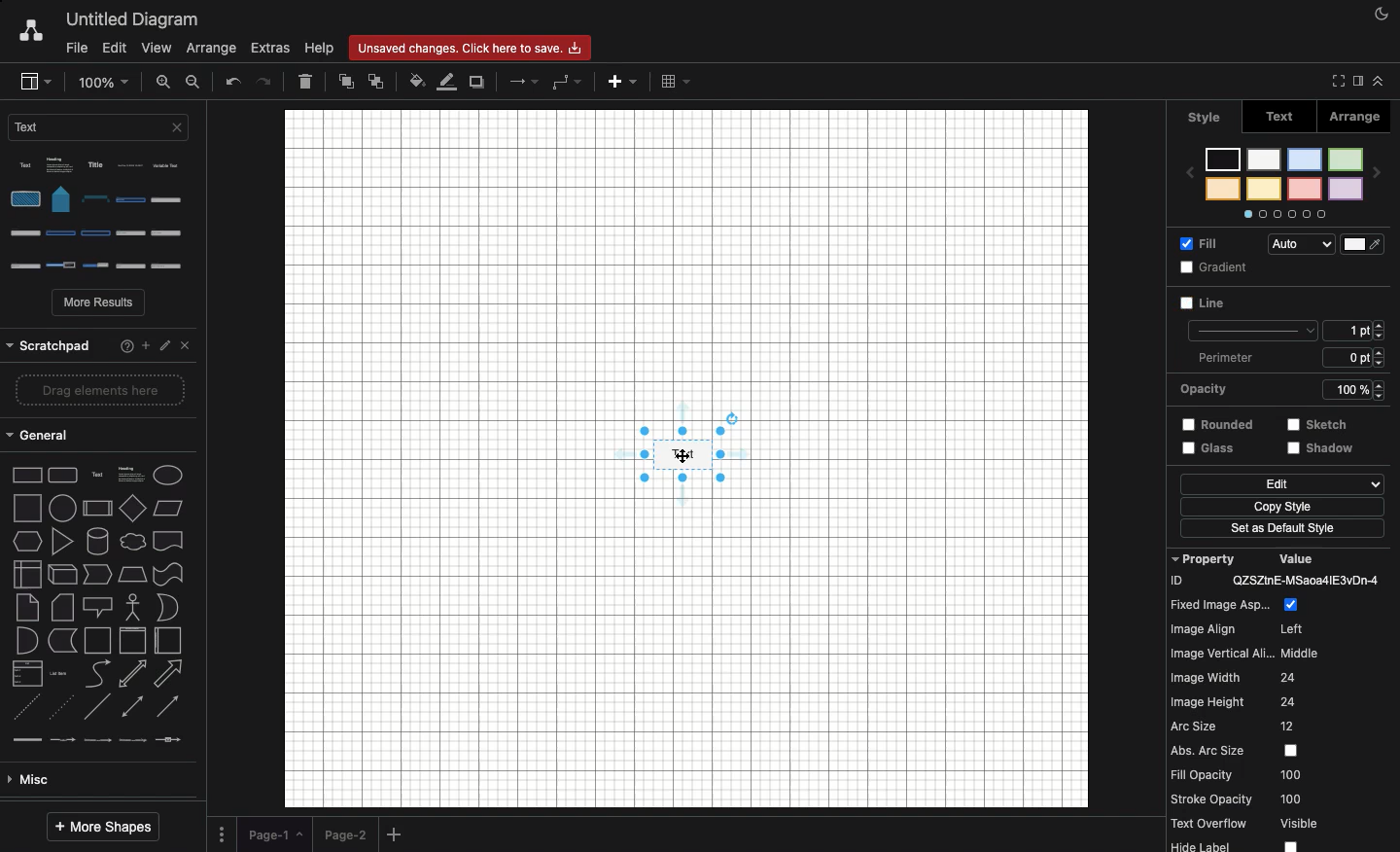 The width and height of the screenshot is (1400, 852). What do you see at coordinates (99, 397) in the screenshot?
I see `2d shapes` at bounding box center [99, 397].